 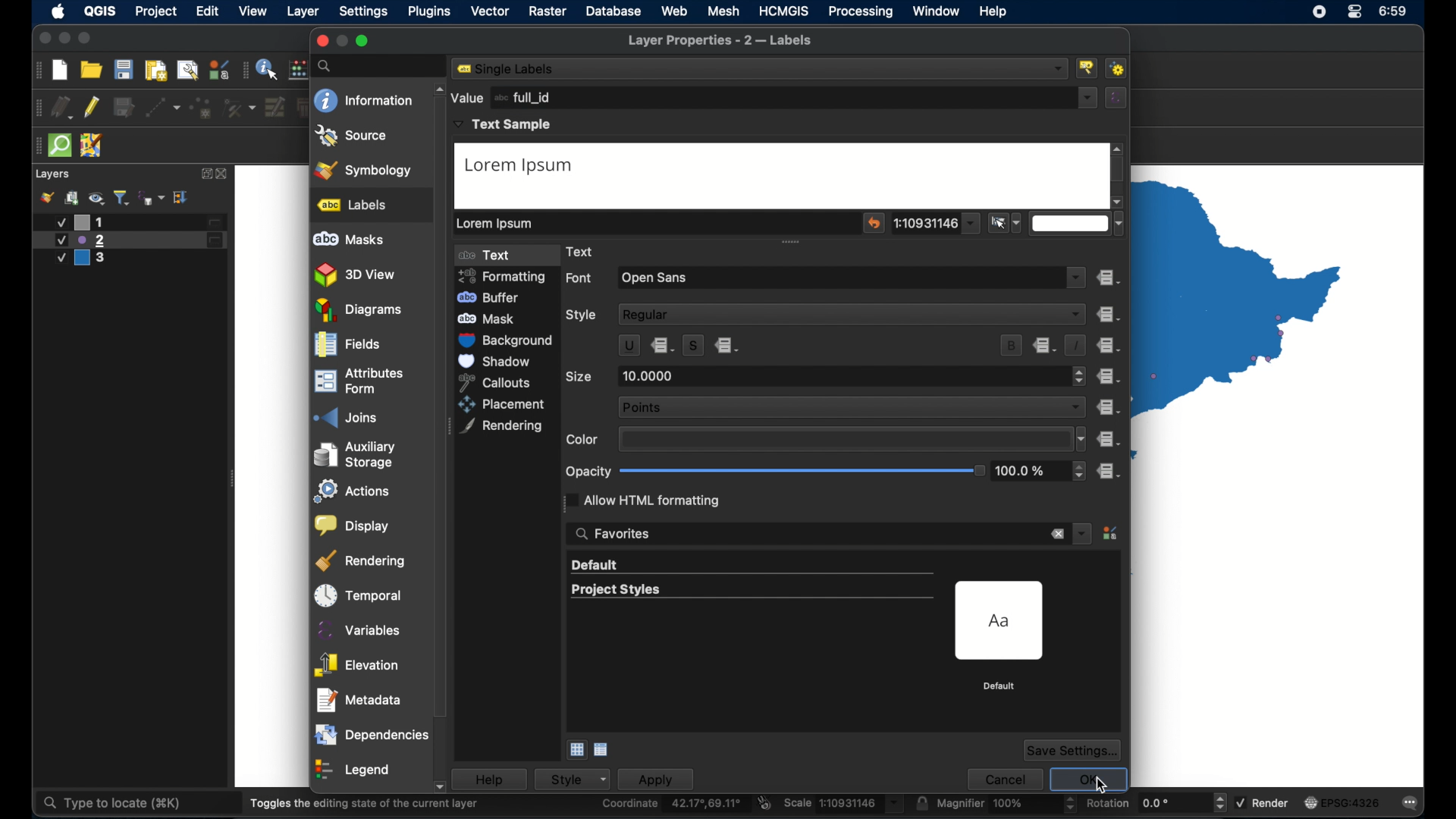 What do you see at coordinates (152, 198) in the screenshot?
I see `filter legend by expression` at bounding box center [152, 198].